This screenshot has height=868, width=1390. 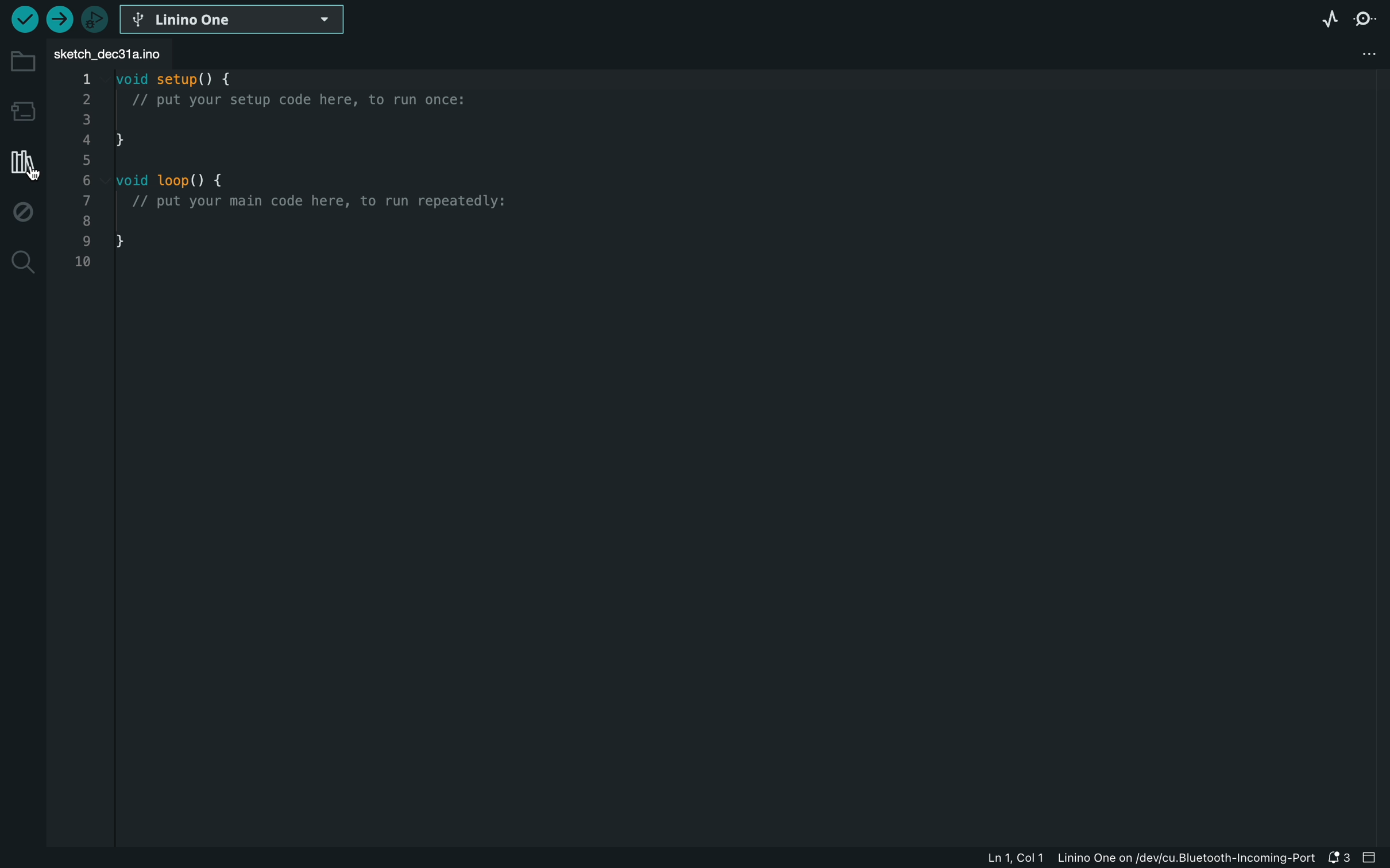 I want to click on file information, so click(x=1149, y=859).